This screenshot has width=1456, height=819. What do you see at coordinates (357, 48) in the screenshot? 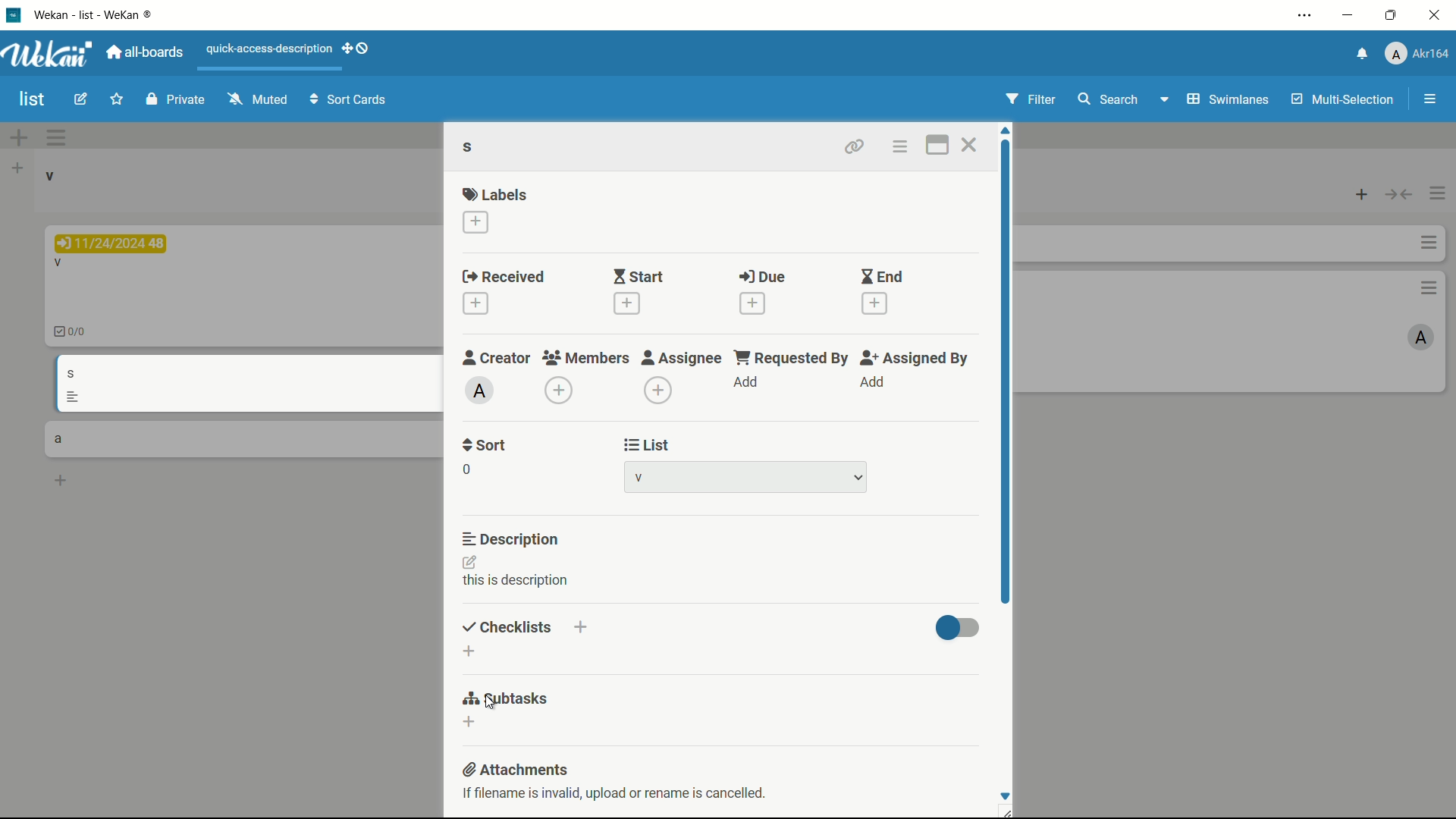
I see `show-desktop-drag-handles` at bounding box center [357, 48].